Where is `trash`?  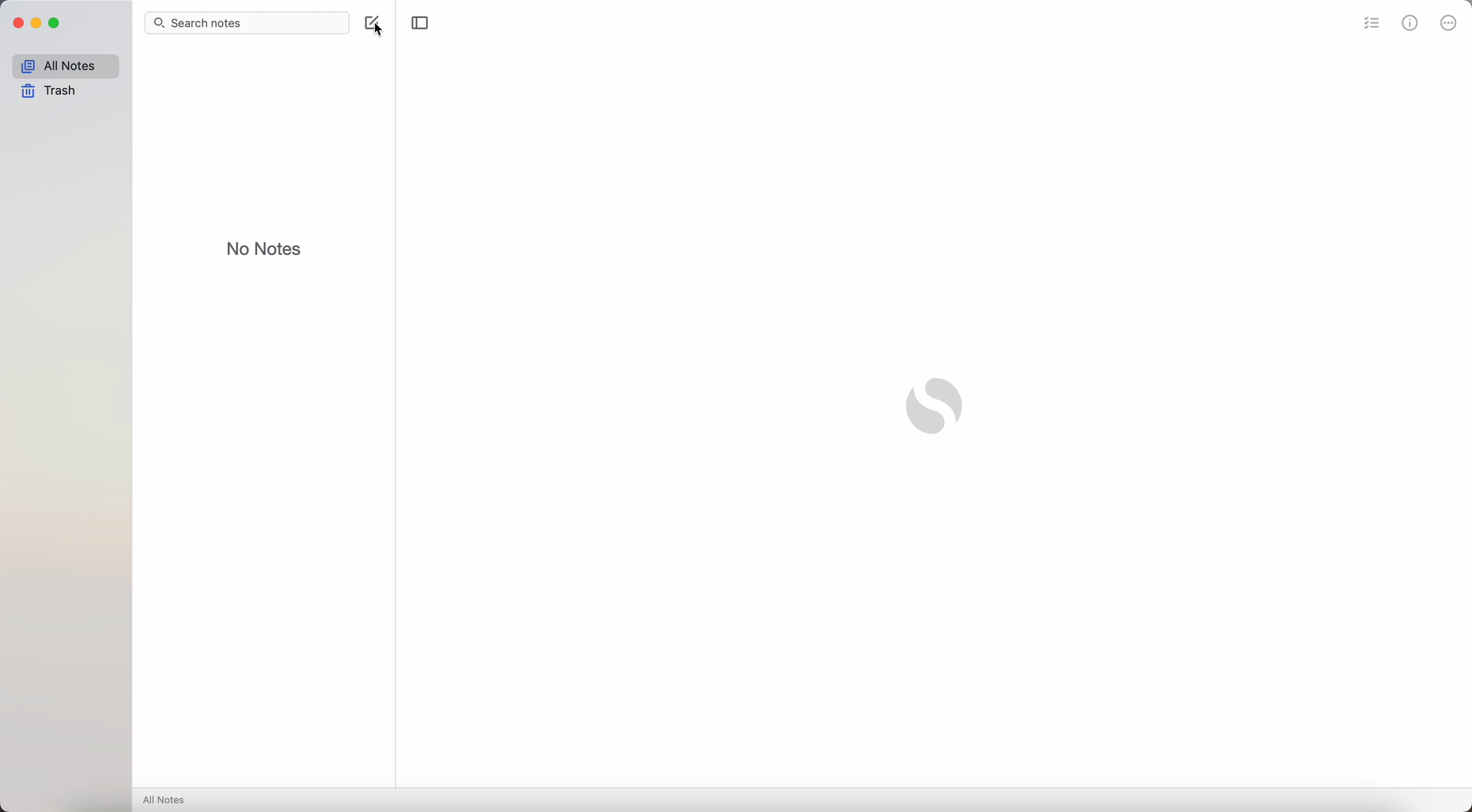
trash is located at coordinates (50, 92).